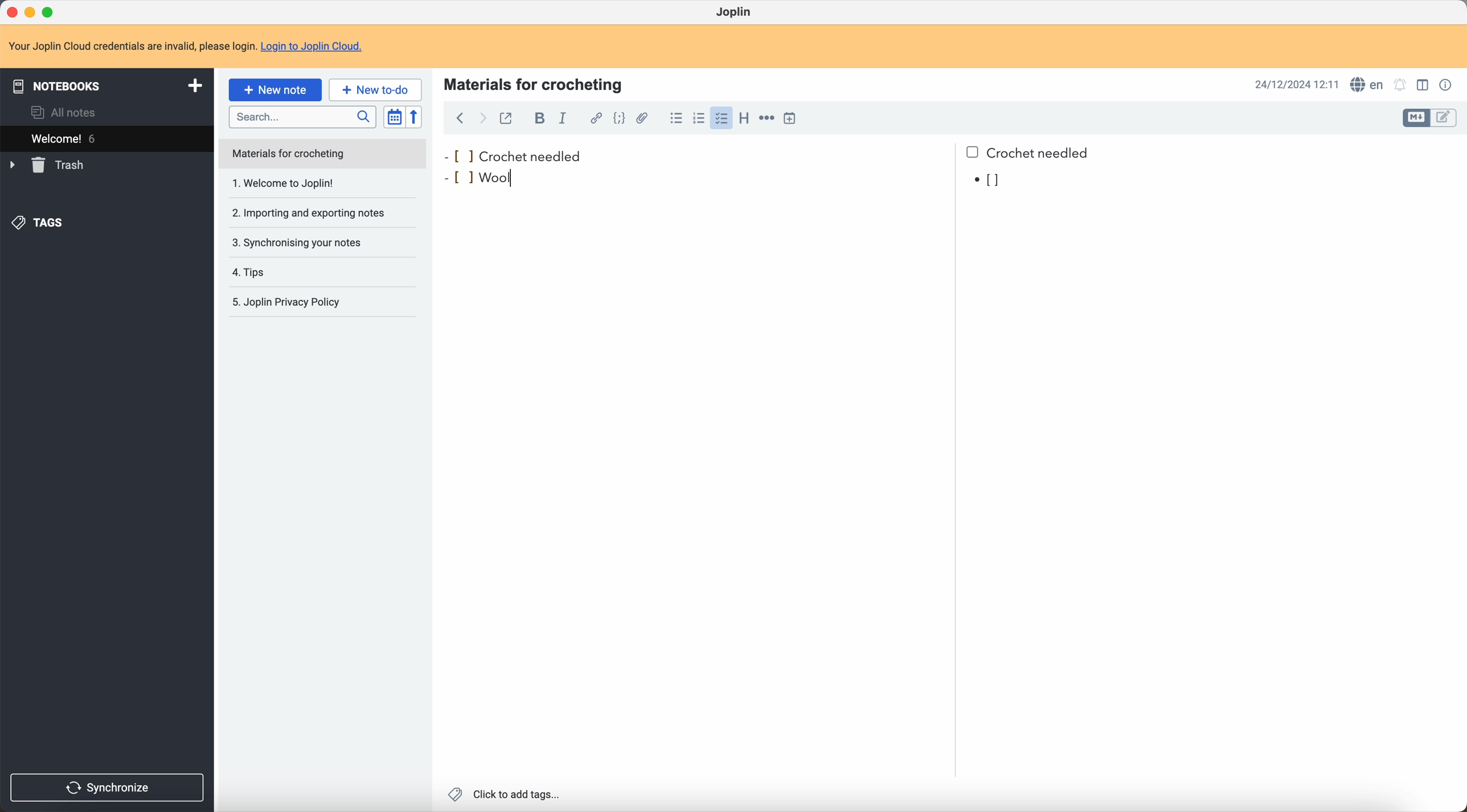 Image resolution: width=1467 pixels, height=812 pixels. What do you see at coordinates (186, 46) in the screenshot?
I see `note` at bounding box center [186, 46].